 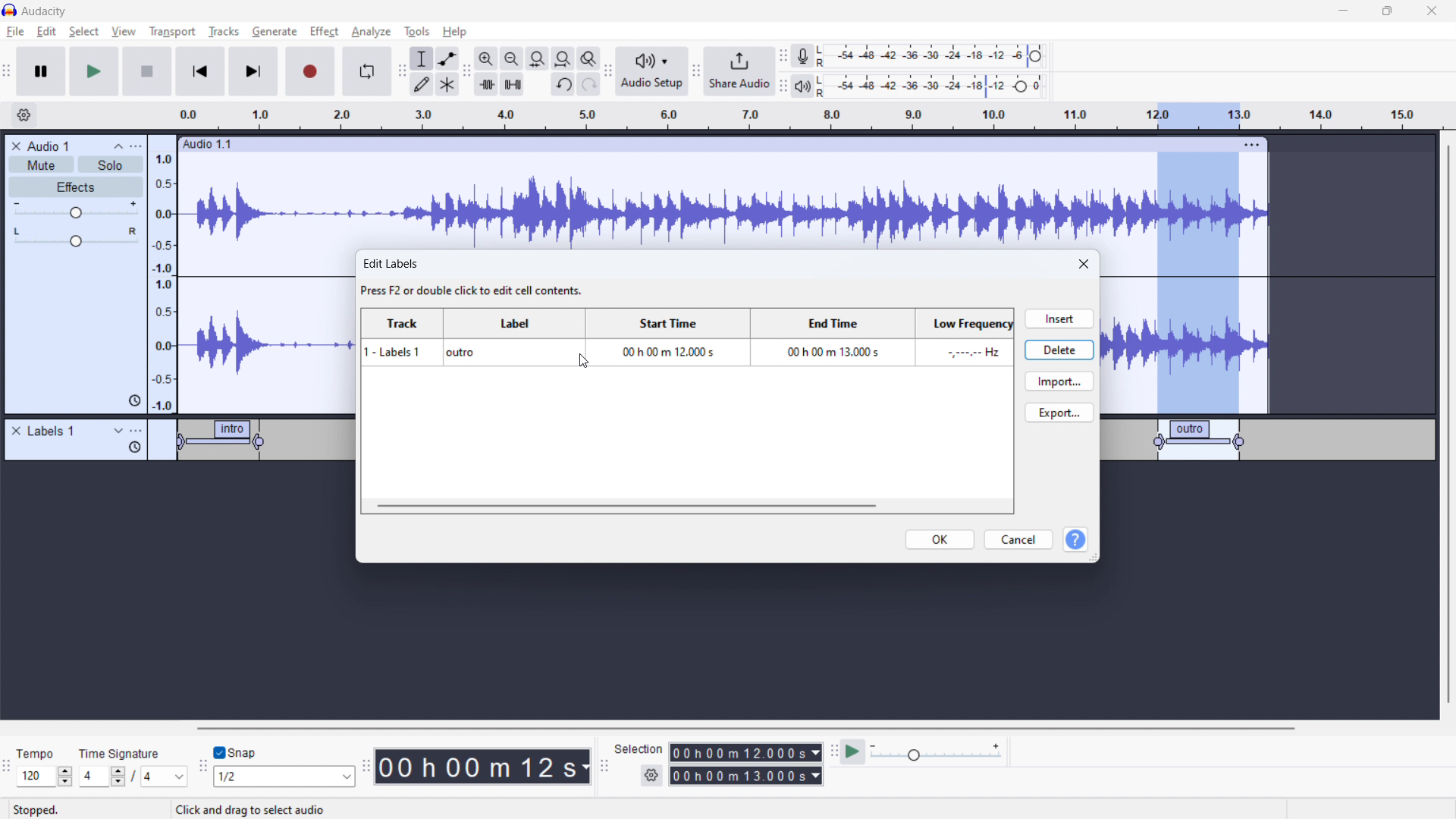 What do you see at coordinates (24, 116) in the screenshot?
I see `timeline settings` at bounding box center [24, 116].